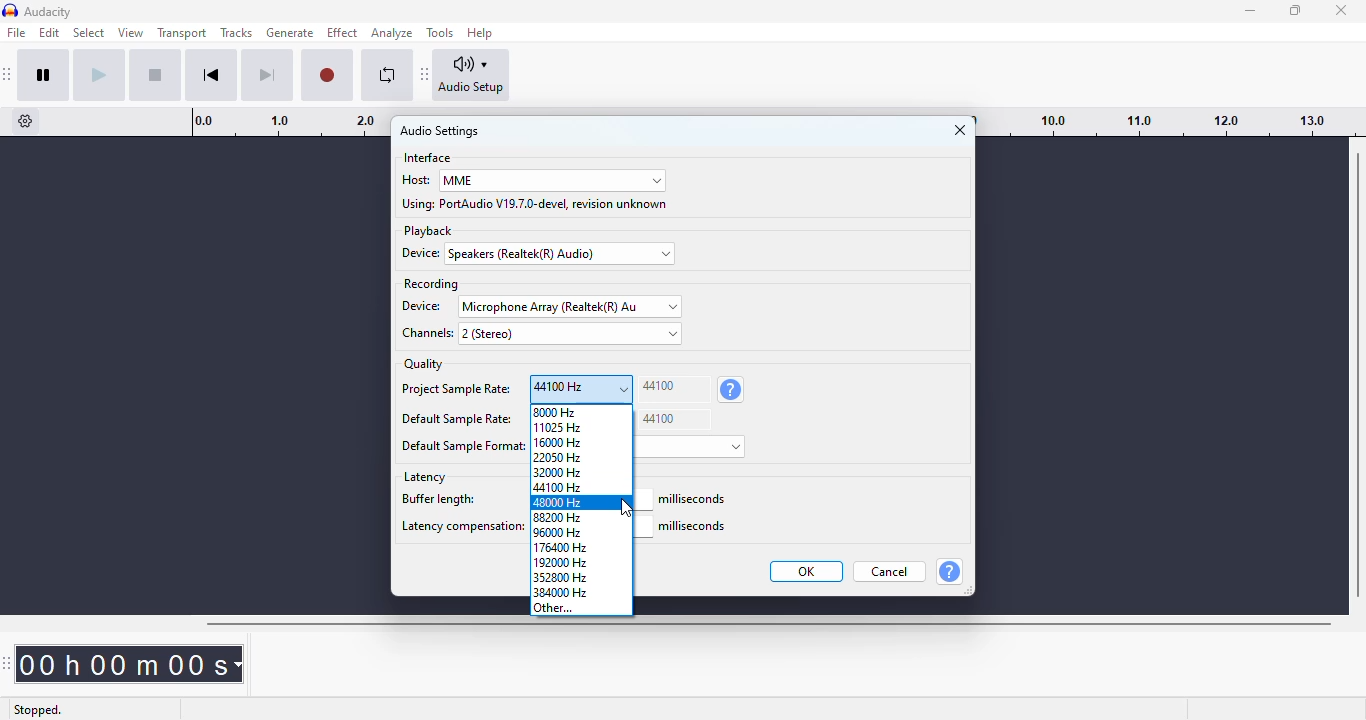 The width and height of the screenshot is (1366, 720). I want to click on Using: PortAudio V19.7.0-devel, revision unknown, so click(536, 204).